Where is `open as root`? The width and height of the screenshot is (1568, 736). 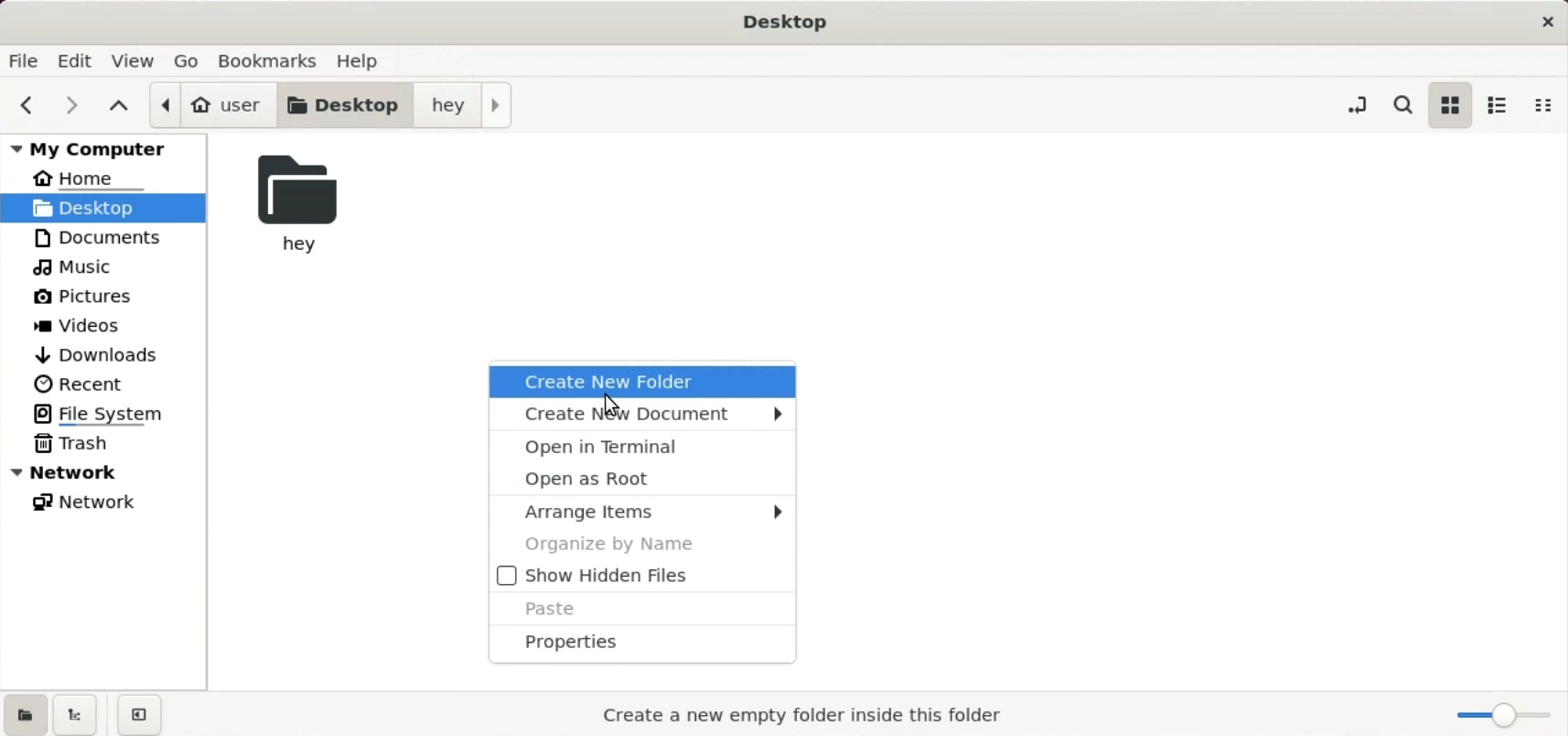
open as root is located at coordinates (641, 479).